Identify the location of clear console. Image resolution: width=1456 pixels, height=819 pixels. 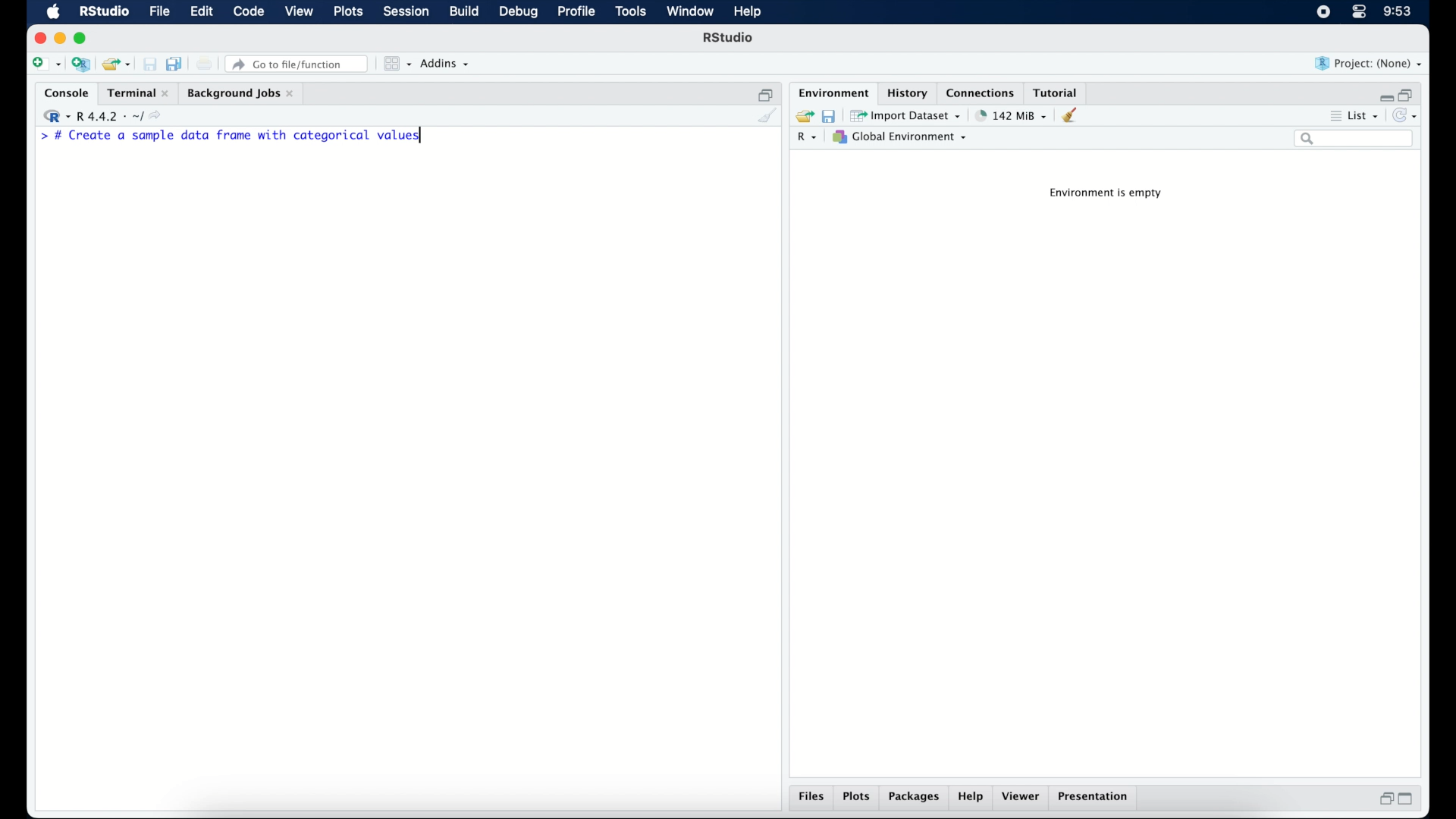
(768, 116).